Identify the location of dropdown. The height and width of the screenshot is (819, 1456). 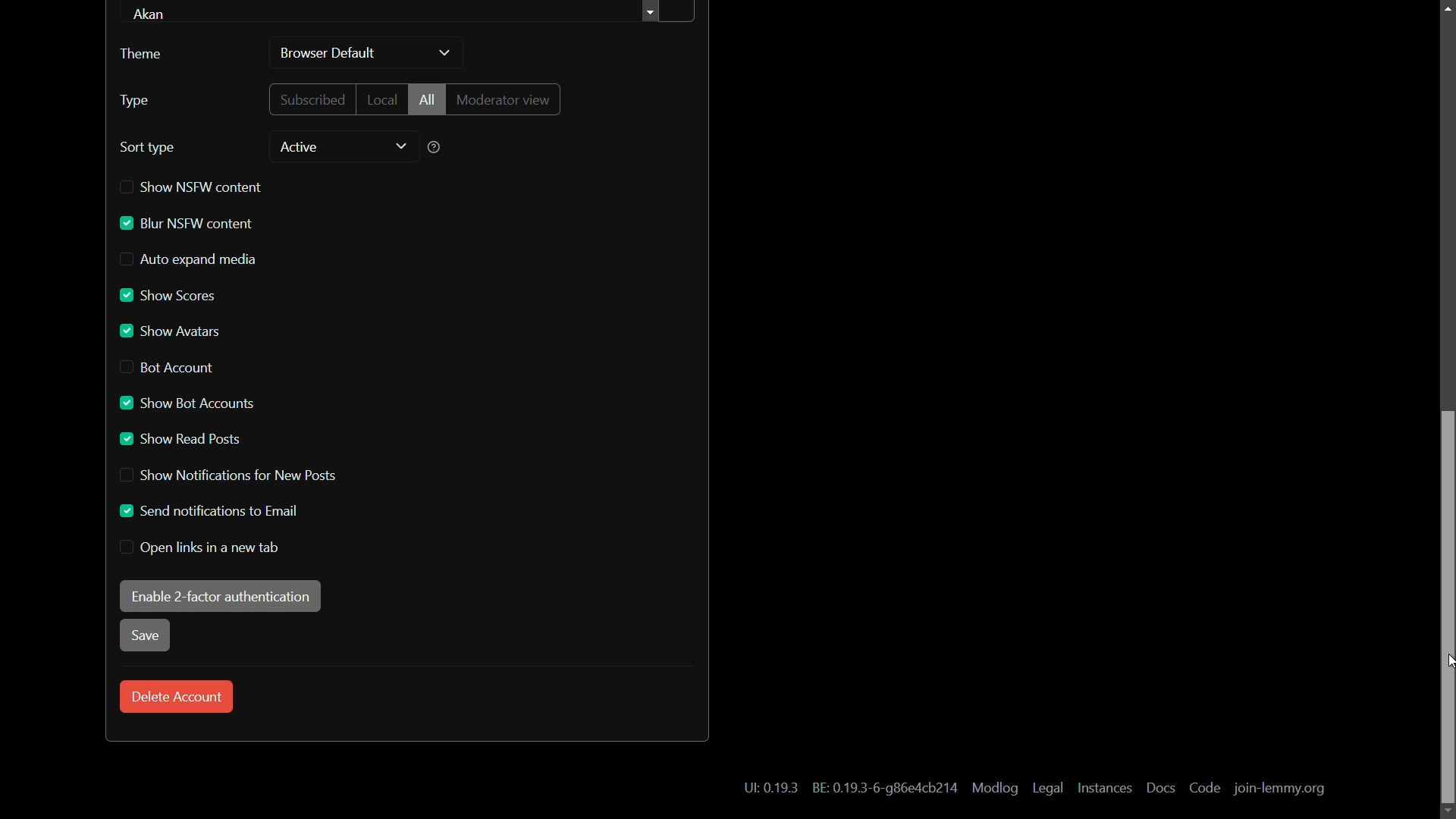
(401, 147).